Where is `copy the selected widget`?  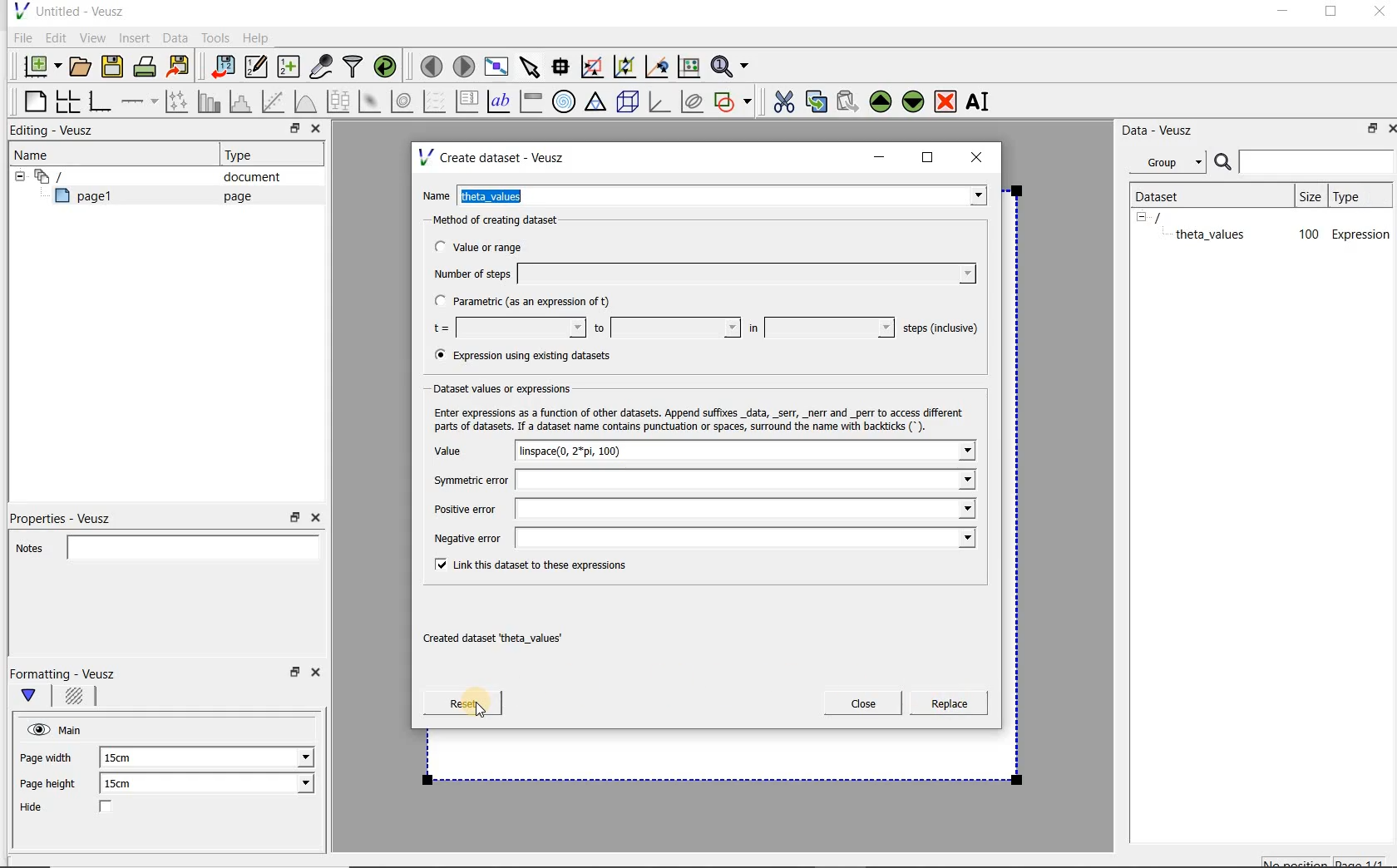
copy the selected widget is located at coordinates (817, 101).